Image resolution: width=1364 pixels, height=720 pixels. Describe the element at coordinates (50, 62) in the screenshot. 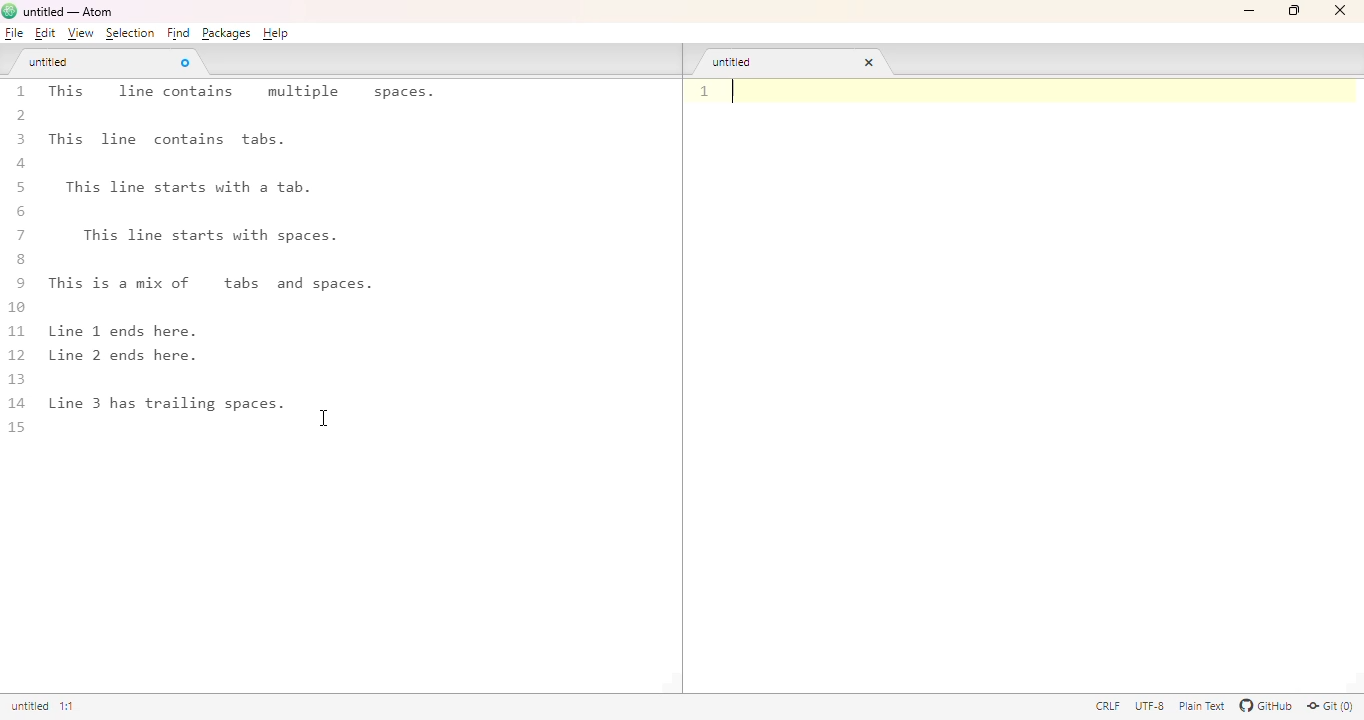

I see `untitled tab` at that location.